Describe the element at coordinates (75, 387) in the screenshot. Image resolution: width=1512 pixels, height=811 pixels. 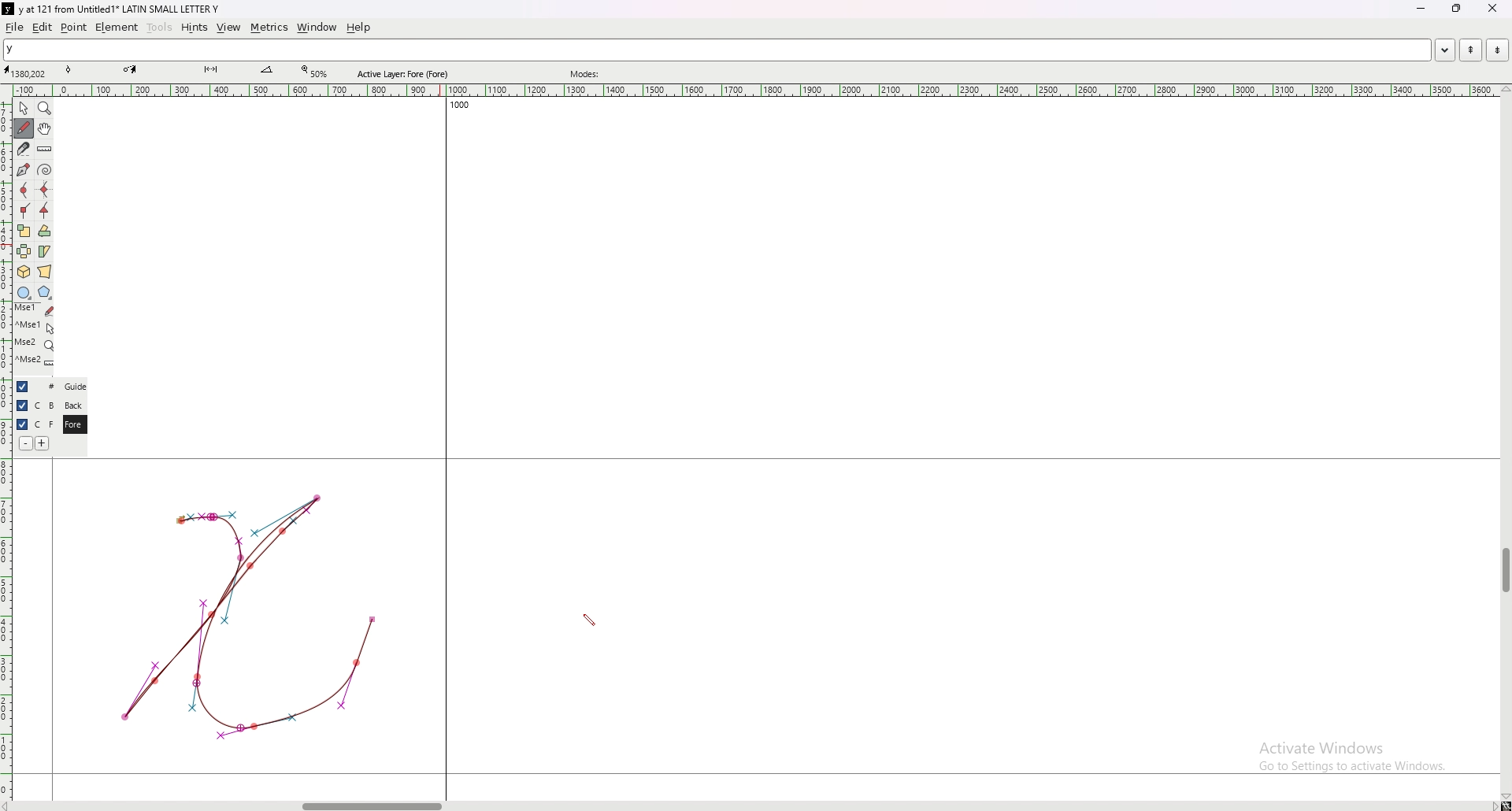
I see `guide` at that location.